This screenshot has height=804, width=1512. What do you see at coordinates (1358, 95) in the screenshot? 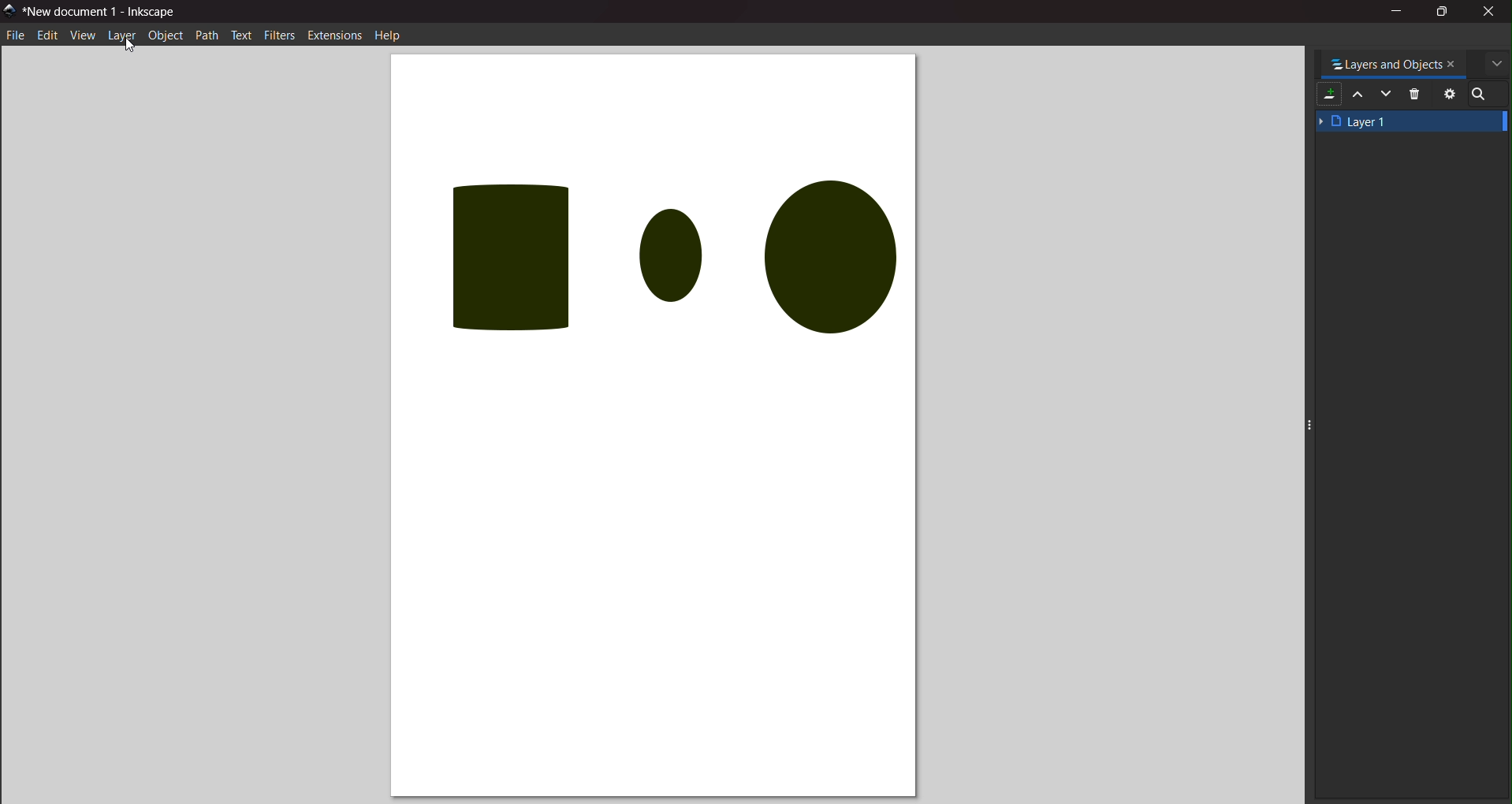
I see `mask up` at bounding box center [1358, 95].